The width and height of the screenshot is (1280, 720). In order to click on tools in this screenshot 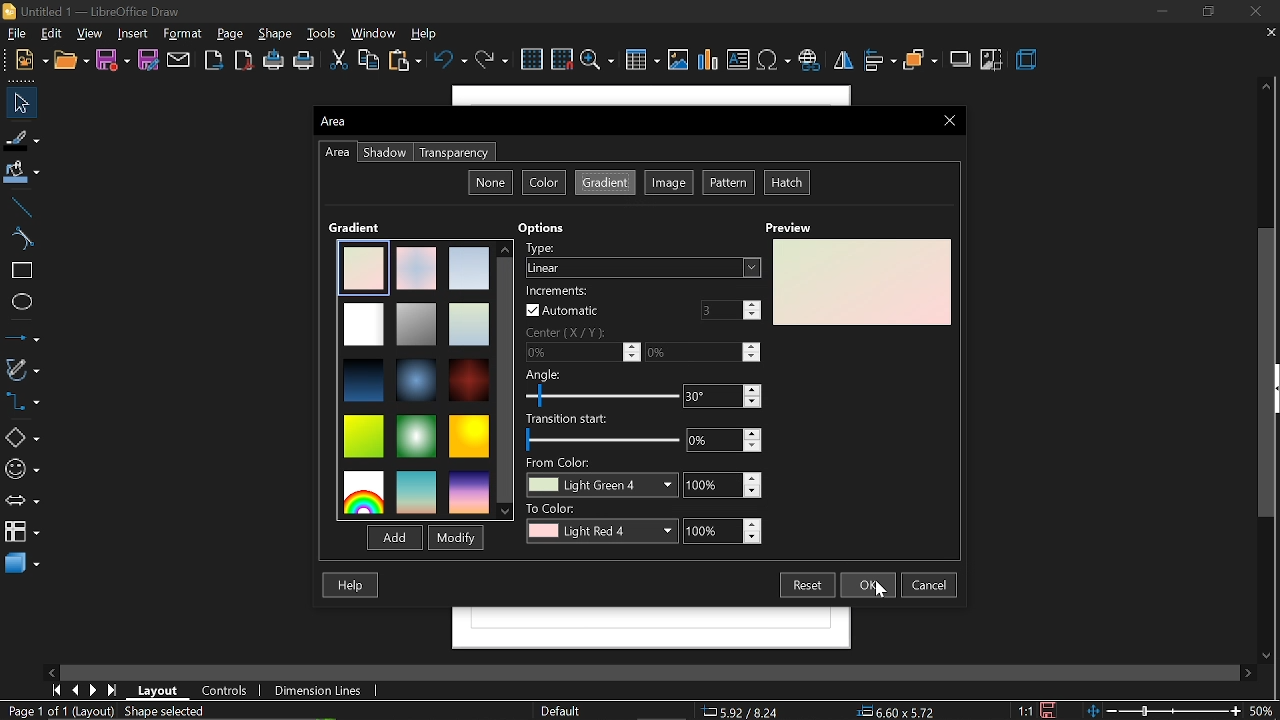, I will do `click(323, 35)`.